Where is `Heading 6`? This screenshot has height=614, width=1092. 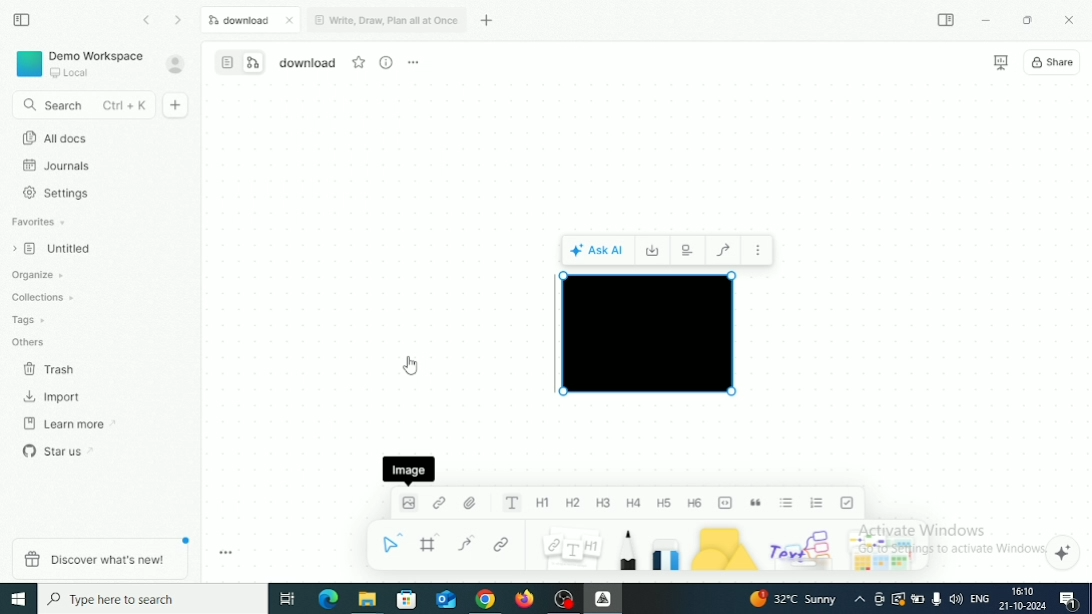
Heading 6 is located at coordinates (696, 502).